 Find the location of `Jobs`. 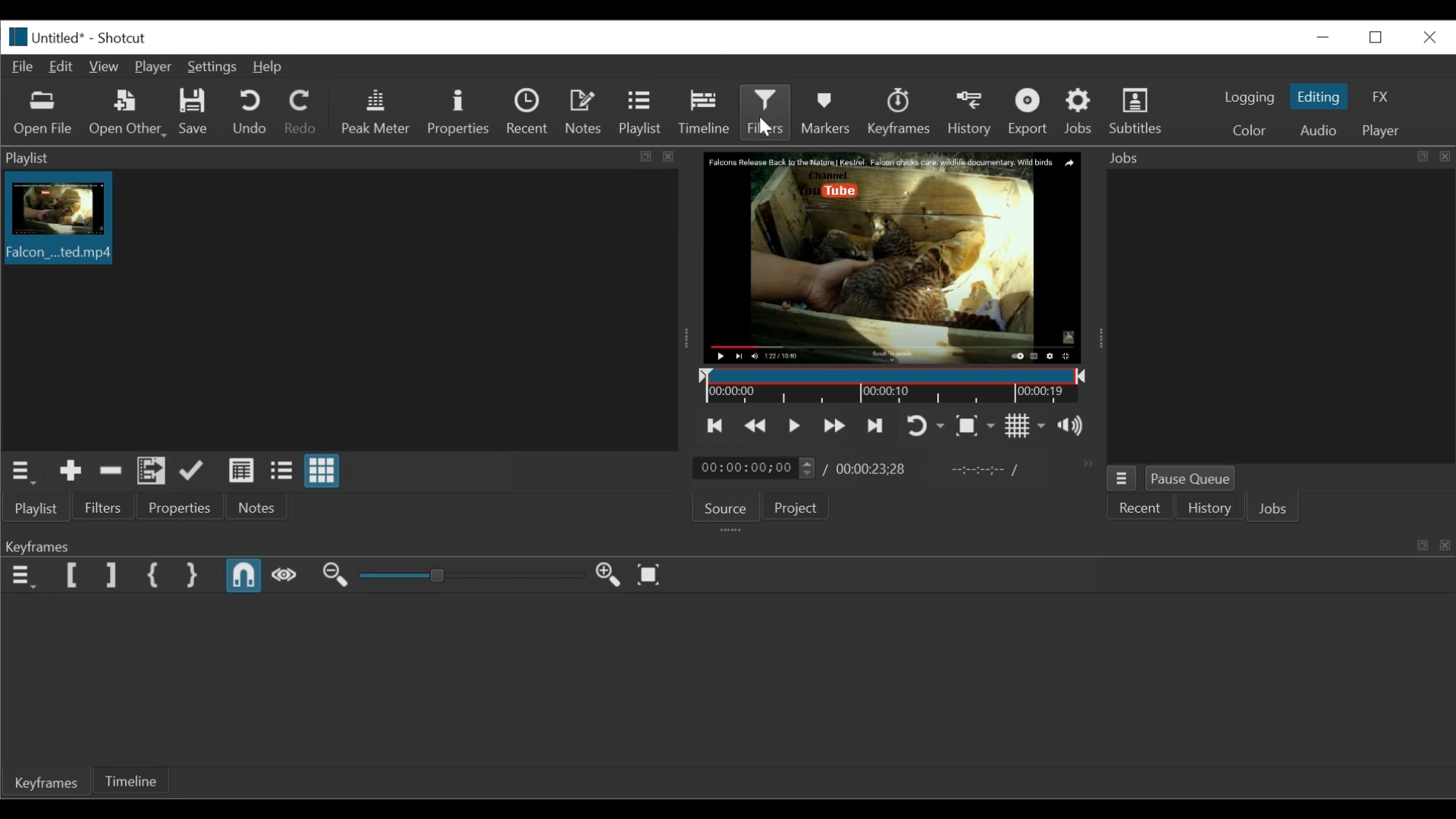

Jobs is located at coordinates (1275, 510).